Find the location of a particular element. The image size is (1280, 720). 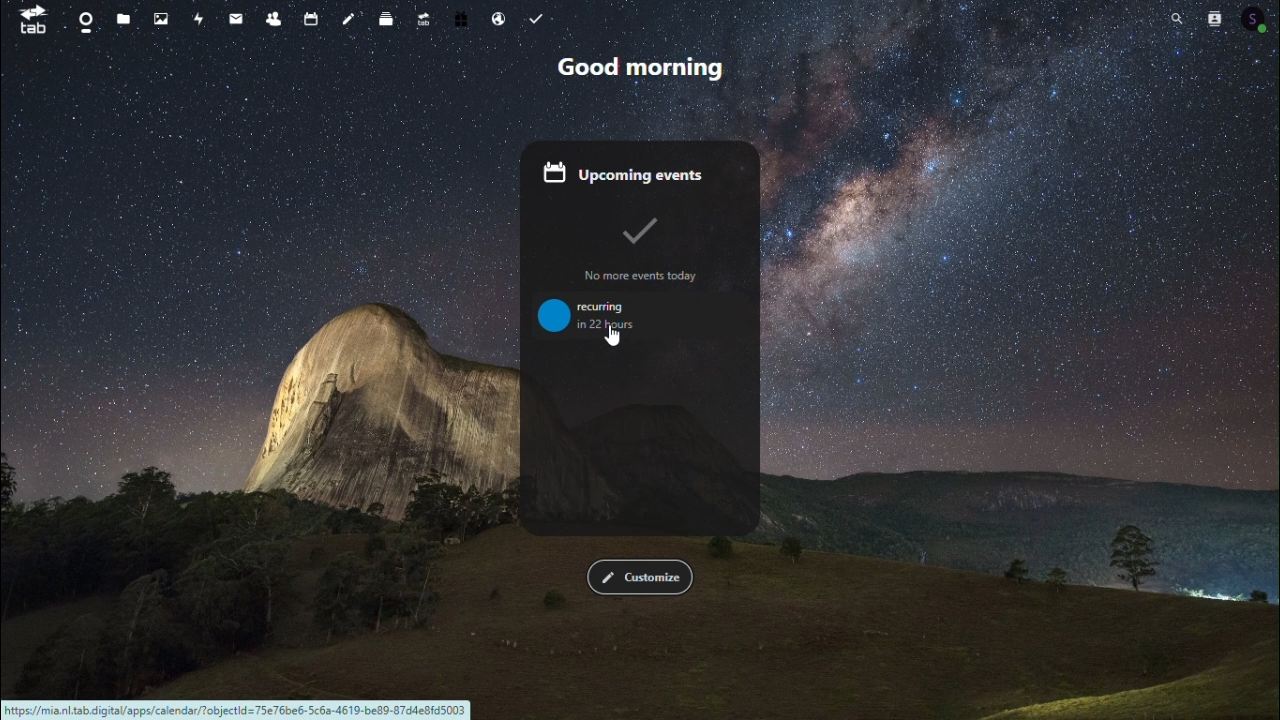

free trial is located at coordinates (461, 17).